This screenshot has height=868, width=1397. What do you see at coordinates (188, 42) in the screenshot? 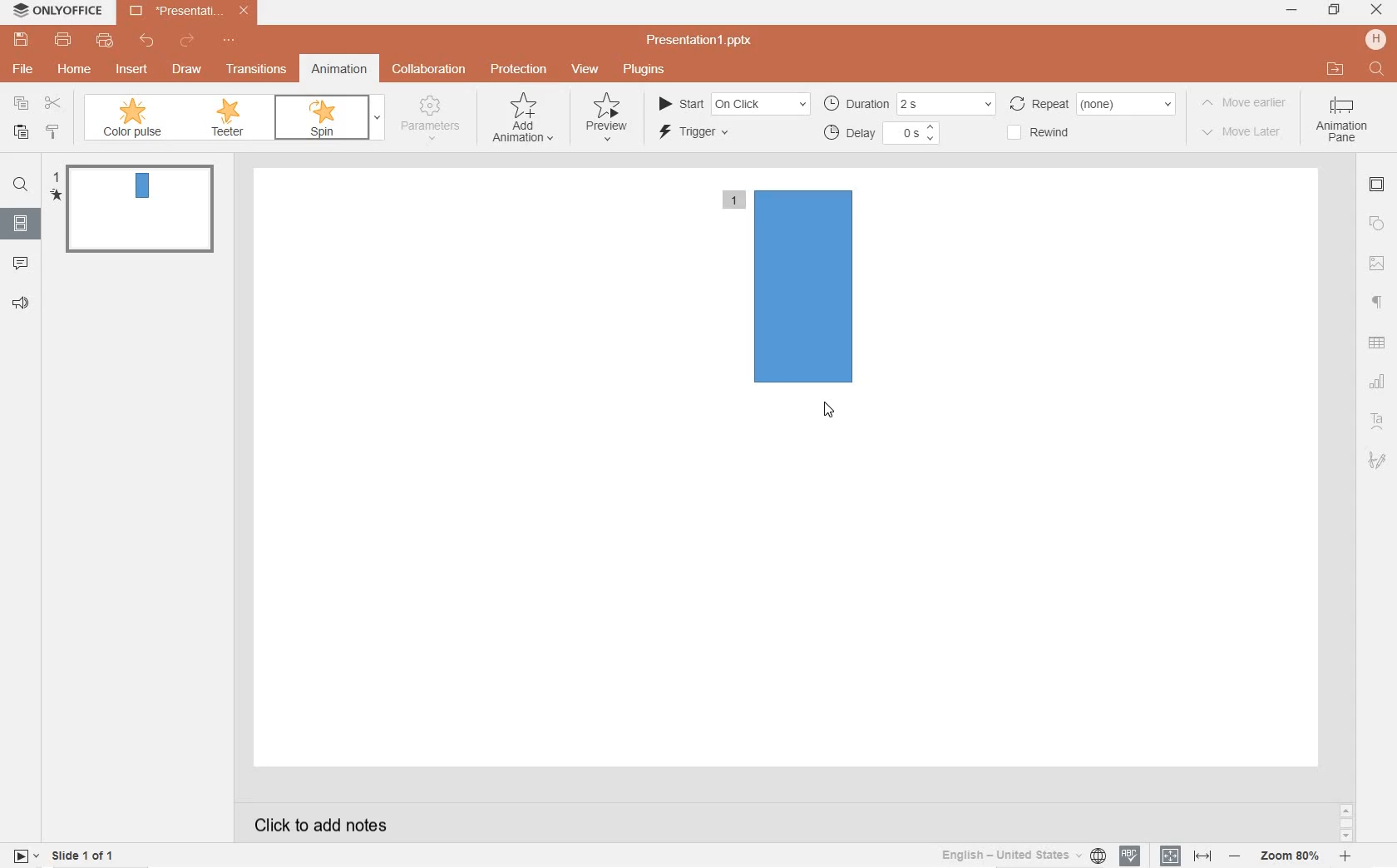
I see `redo` at bounding box center [188, 42].